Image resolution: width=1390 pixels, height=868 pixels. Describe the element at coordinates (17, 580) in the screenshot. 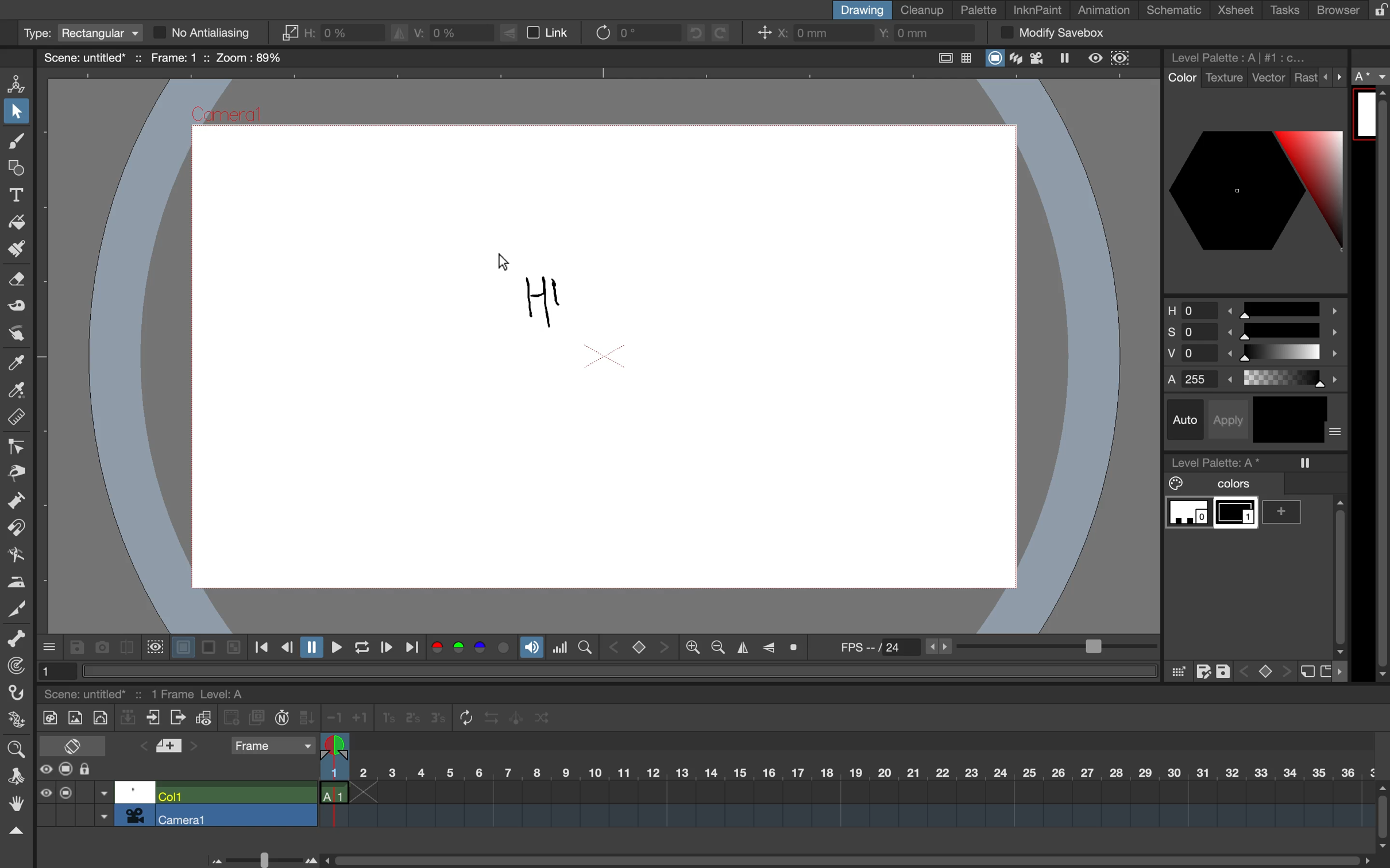

I see `iron tool` at that location.